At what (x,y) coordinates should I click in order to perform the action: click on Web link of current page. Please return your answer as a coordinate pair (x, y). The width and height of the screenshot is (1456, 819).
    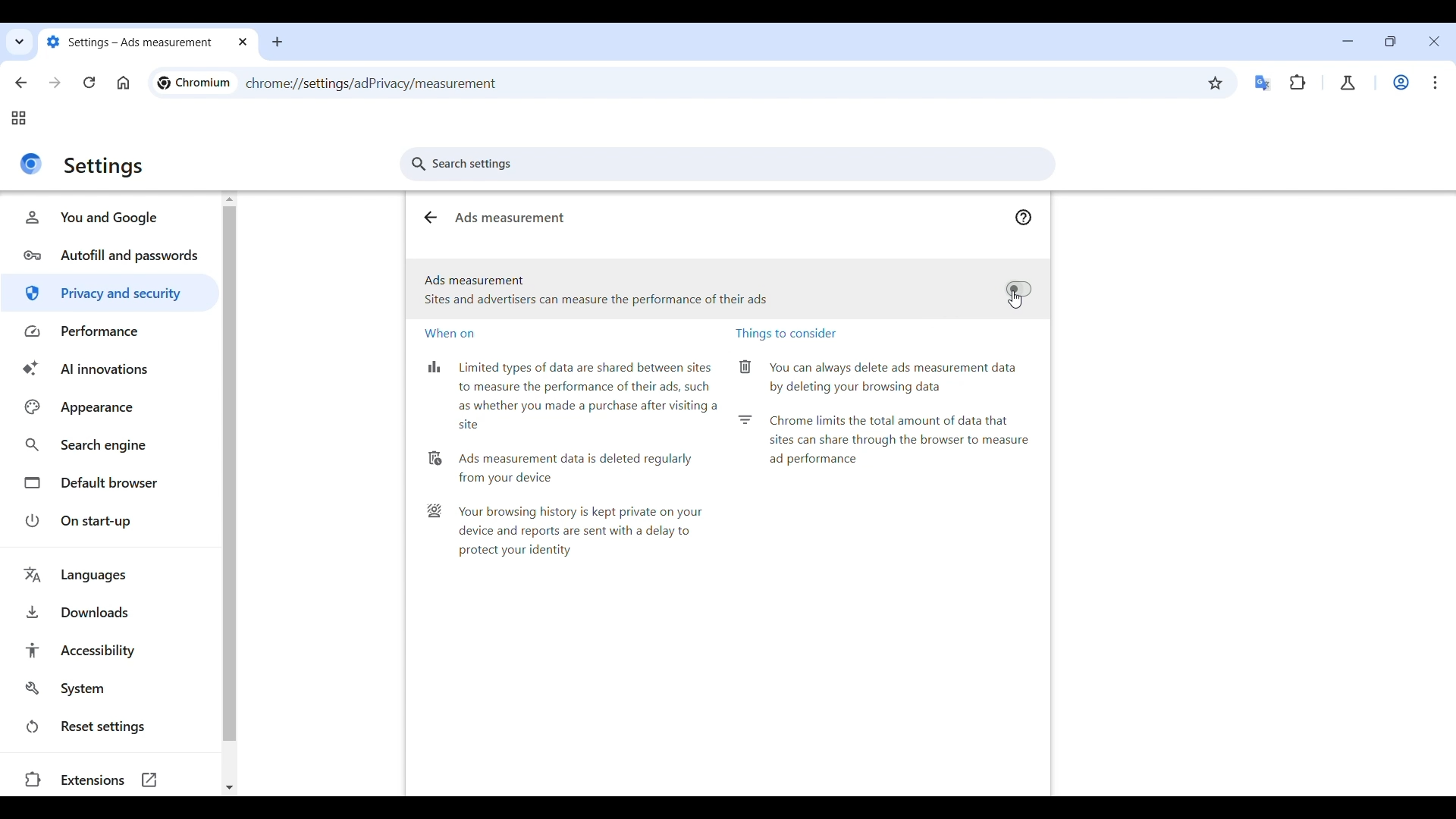
    Looking at the image, I should click on (413, 83).